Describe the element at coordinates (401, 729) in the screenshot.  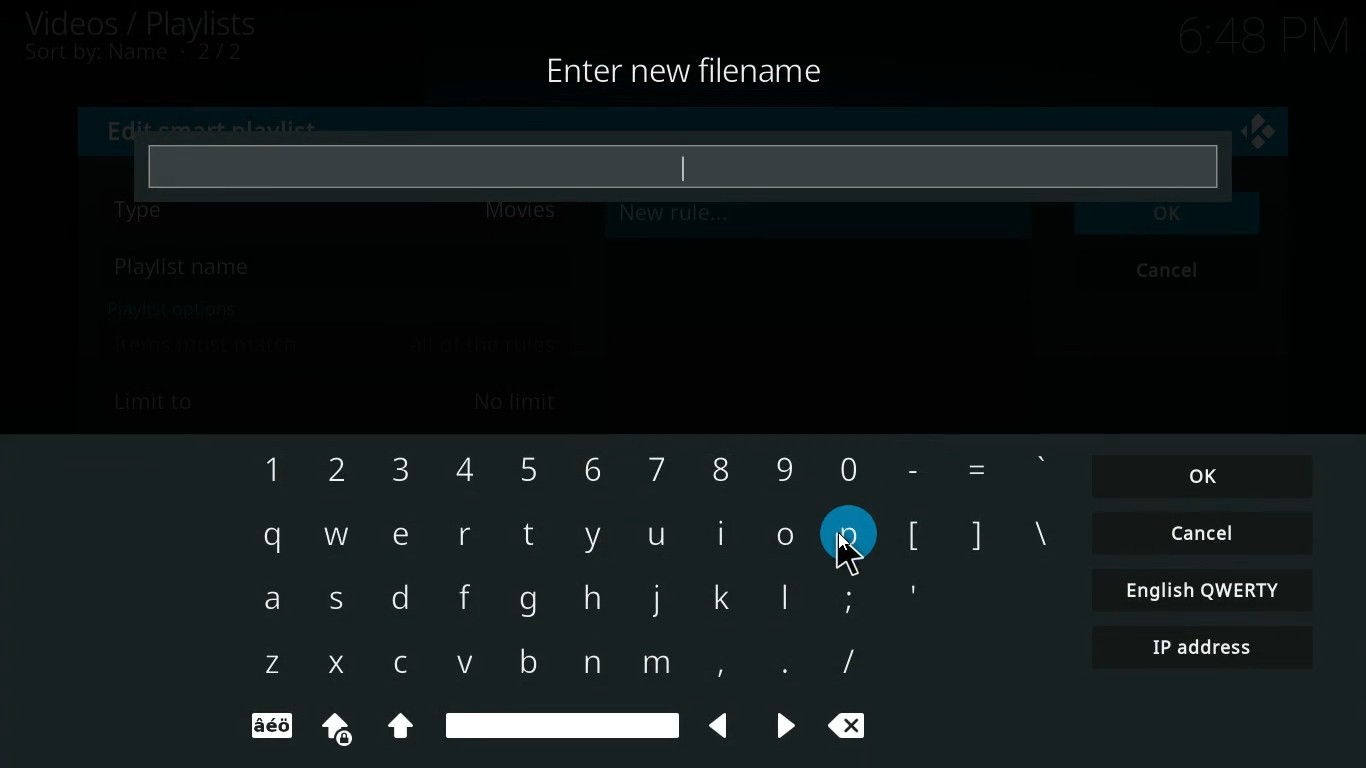
I see `capitalize` at that location.